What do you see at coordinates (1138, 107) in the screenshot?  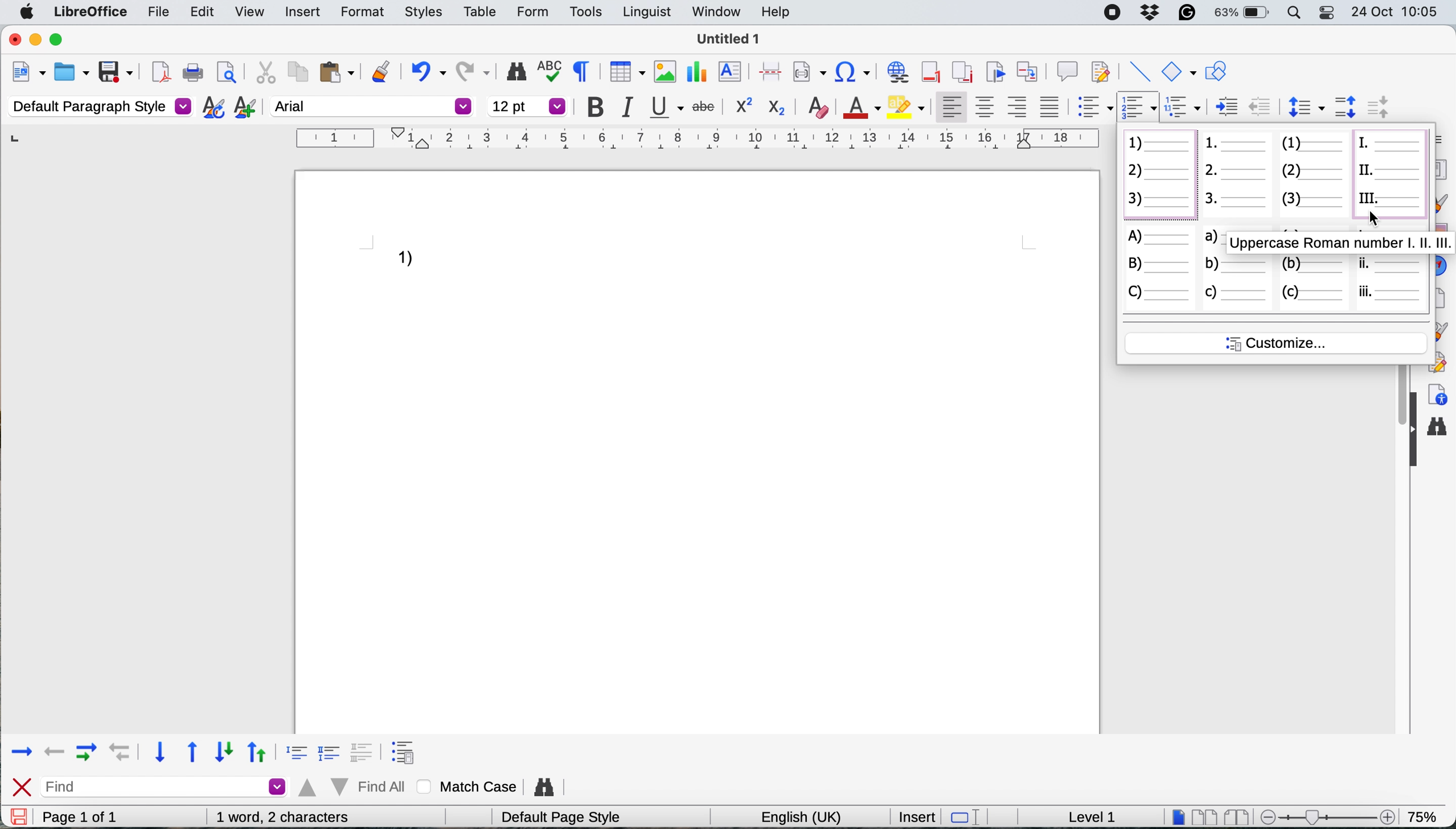 I see `toggle ordered list` at bounding box center [1138, 107].